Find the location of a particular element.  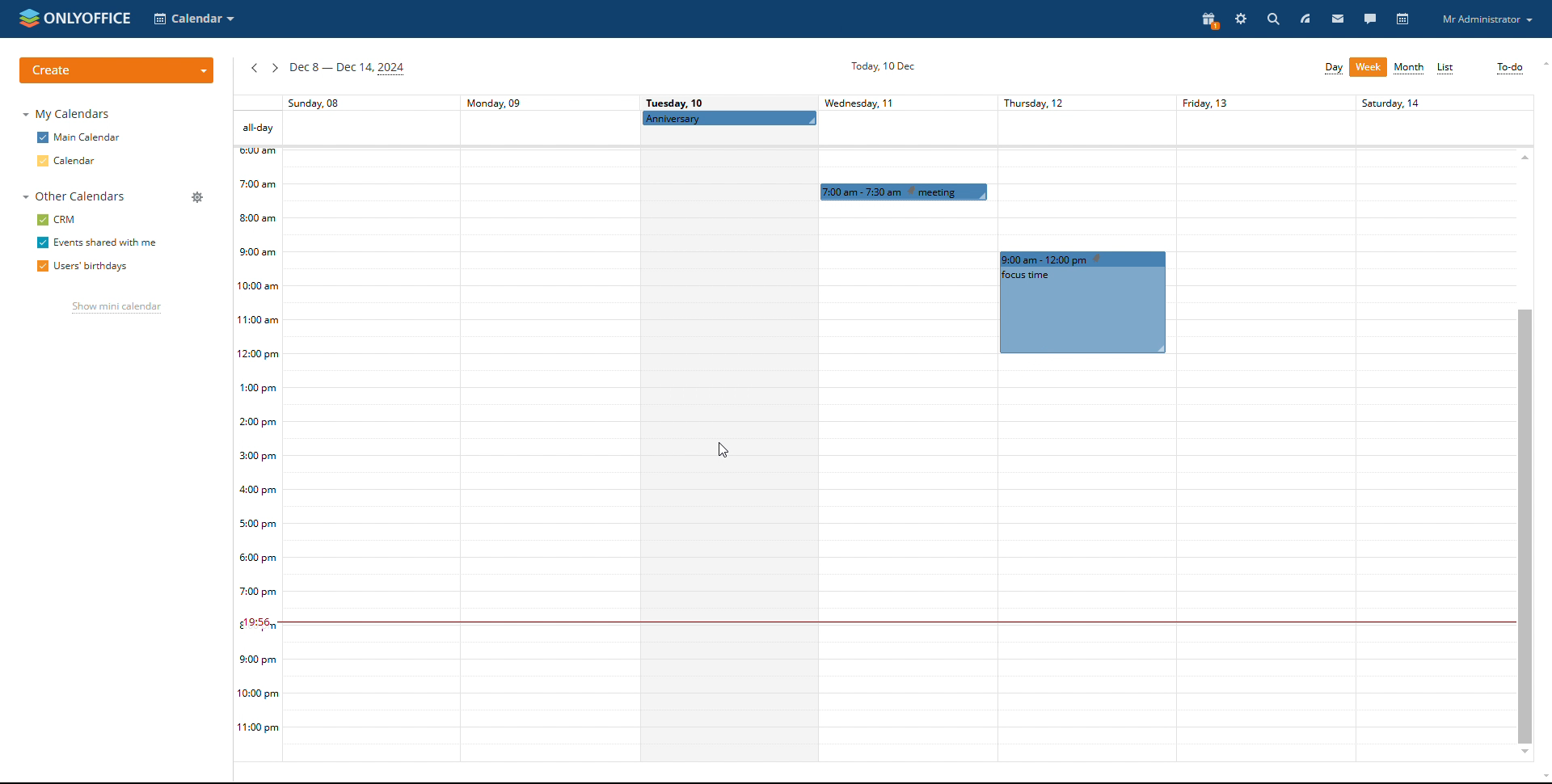

timeline is located at coordinates (258, 455).